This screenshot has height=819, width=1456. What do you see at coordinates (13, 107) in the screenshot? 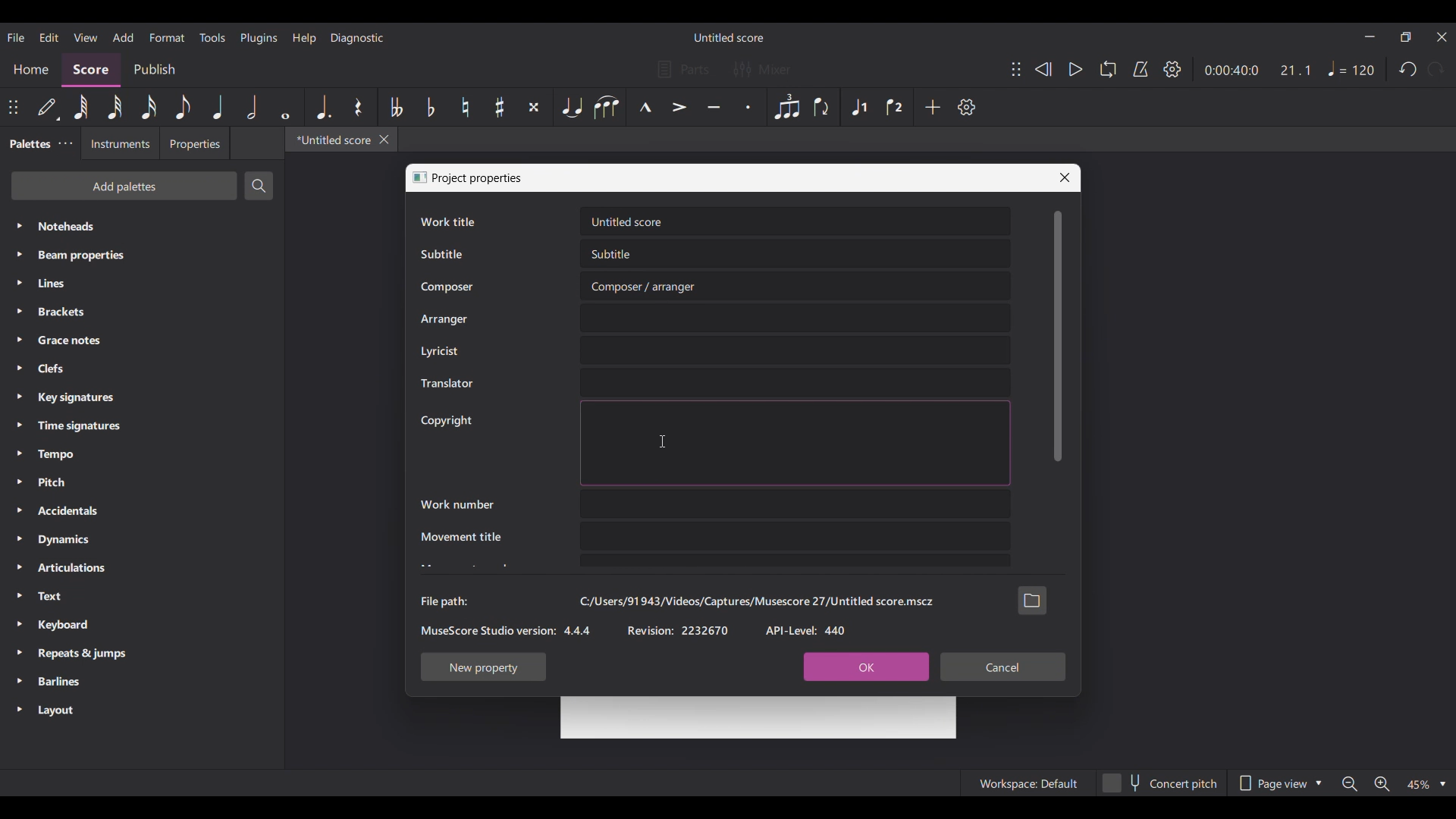
I see `Change position` at bounding box center [13, 107].